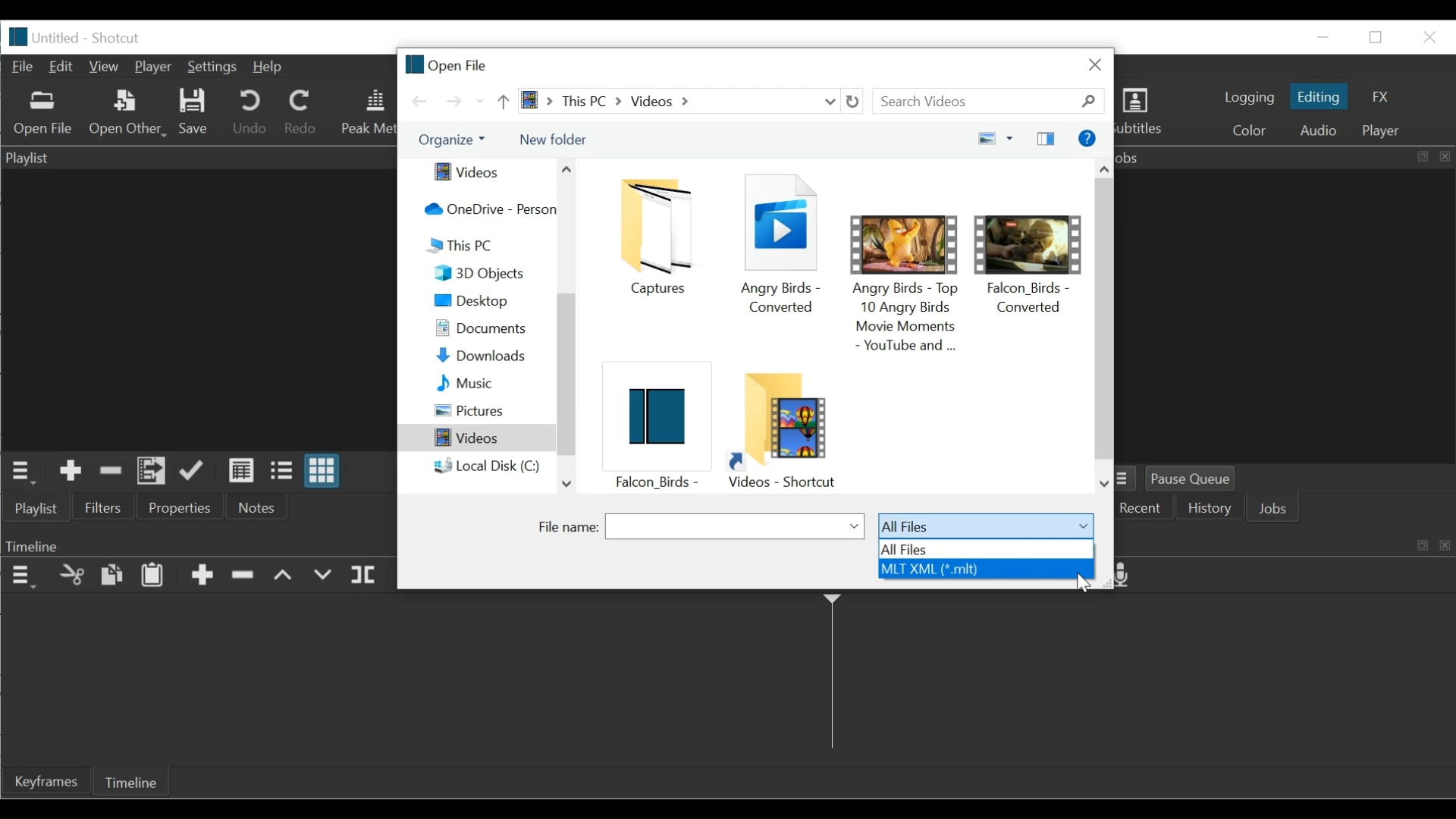 The width and height of the screenshot is (1456, 819). I want to click on Falcon_birds - converted, so click(1031, 254).